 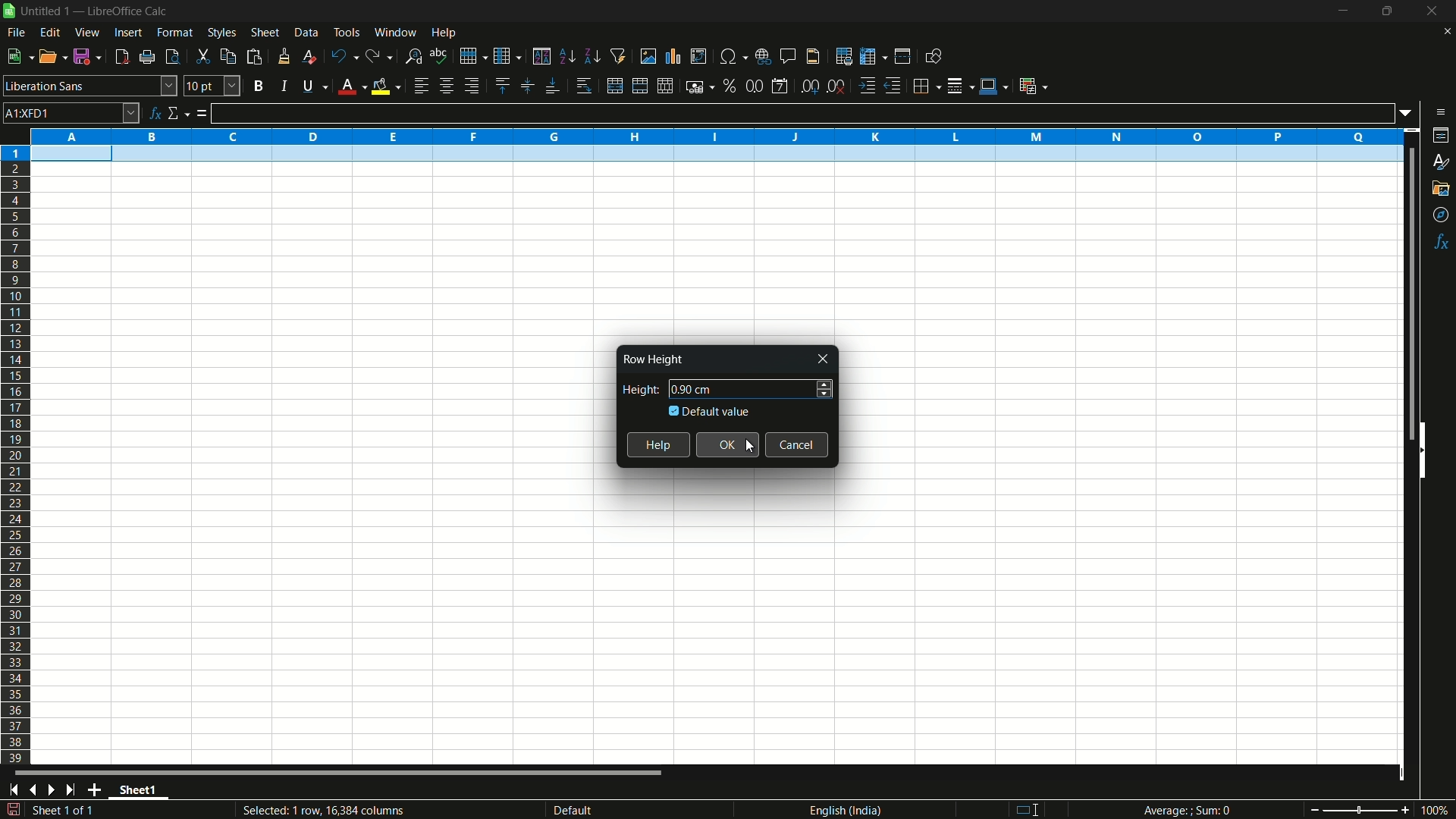 I want to click on ok, so click(x=727, y=445).